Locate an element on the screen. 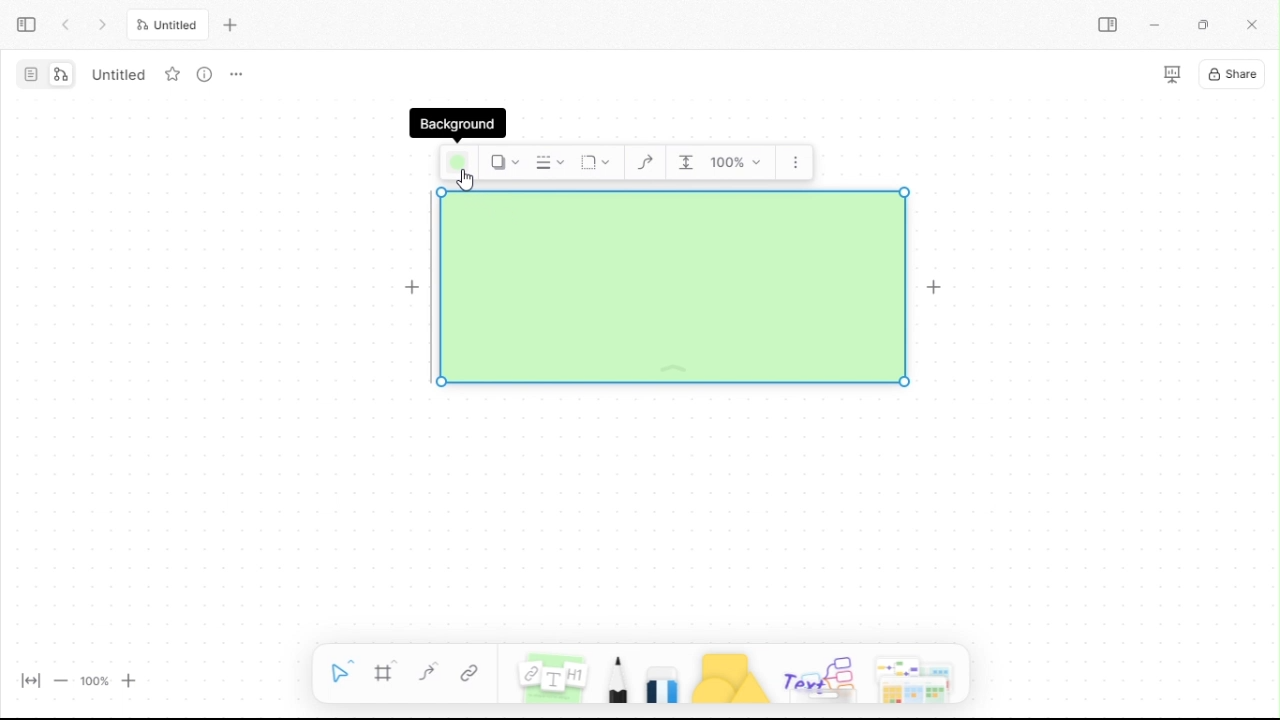 This screenshot has height=720, width=1280. Border Style is located at coordinates (548, 163).